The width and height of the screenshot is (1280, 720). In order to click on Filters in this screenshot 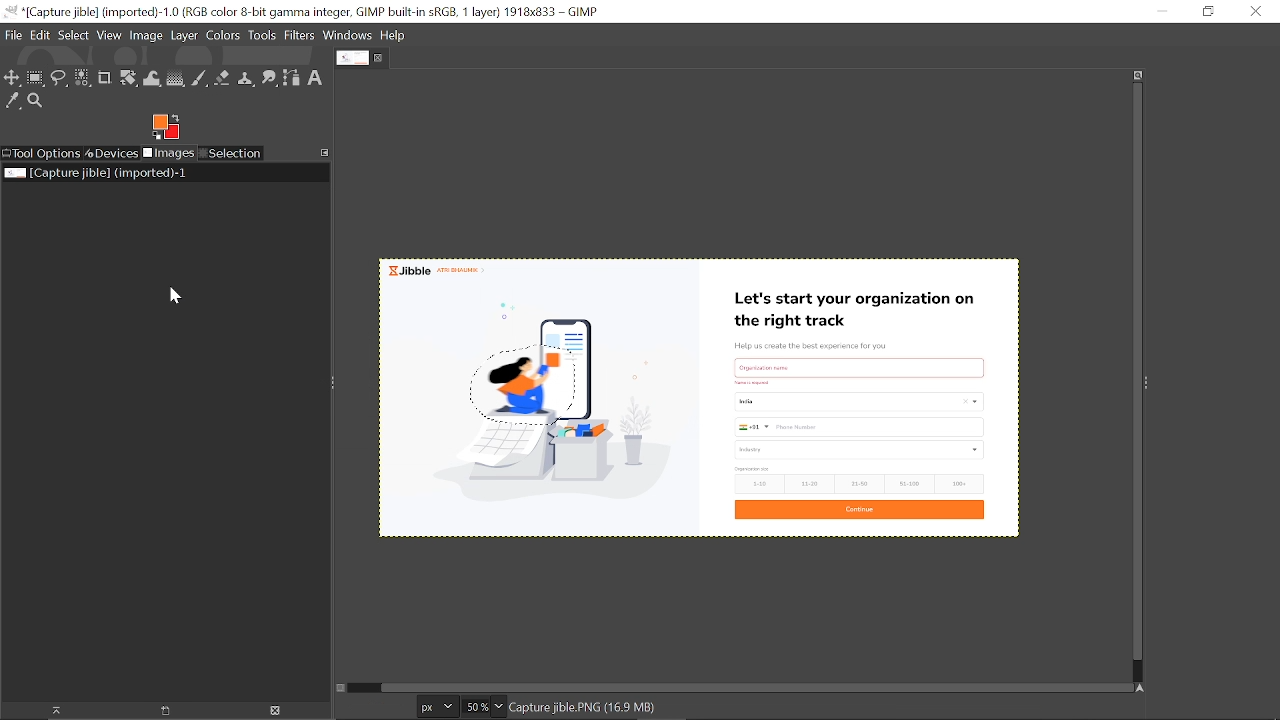, I will do `click(300, 36)`.